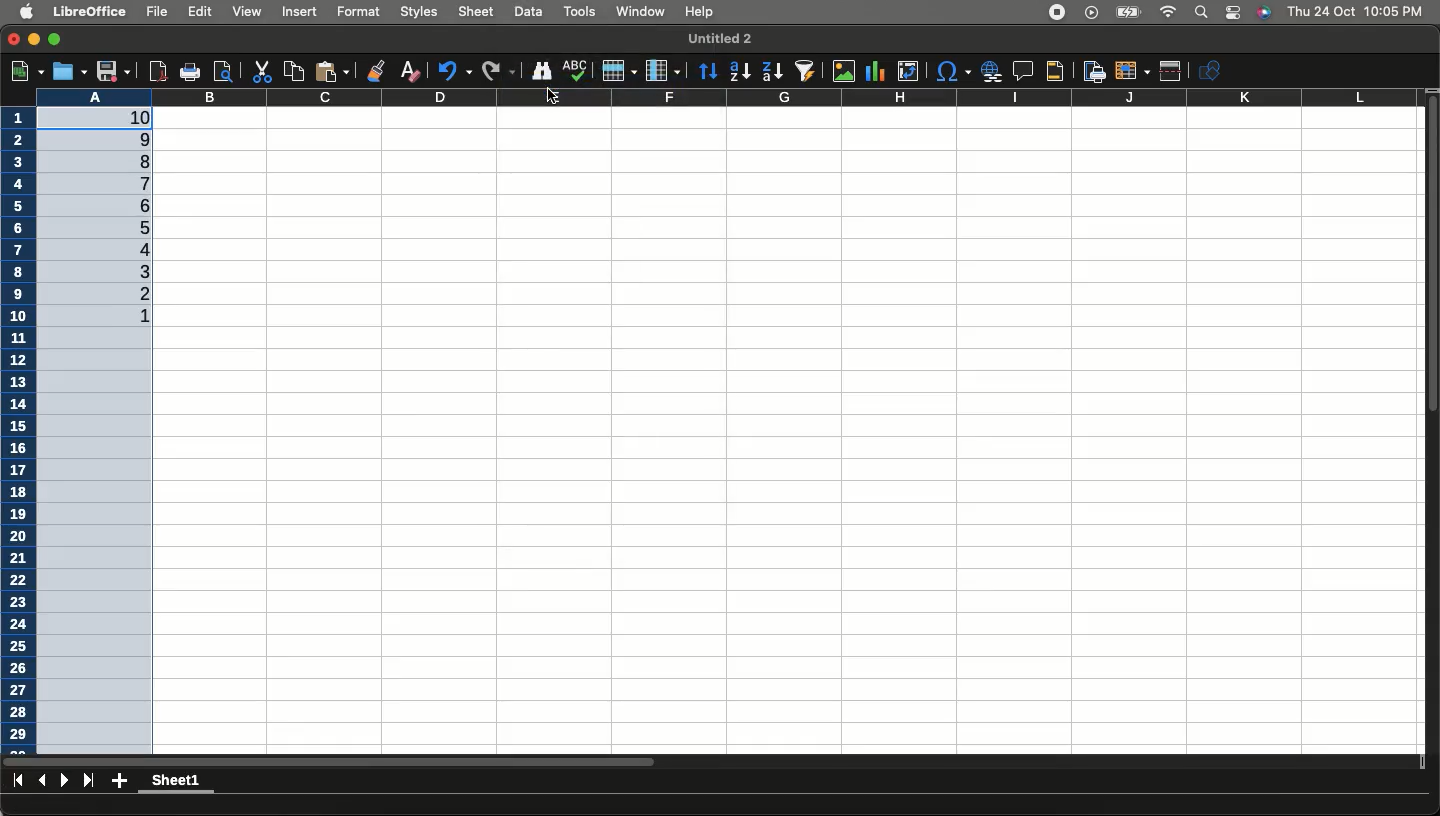 The image size is (1440, 816). Describe the element at coordinates (21, 438) in the screenshot. I see `Row` at that location.